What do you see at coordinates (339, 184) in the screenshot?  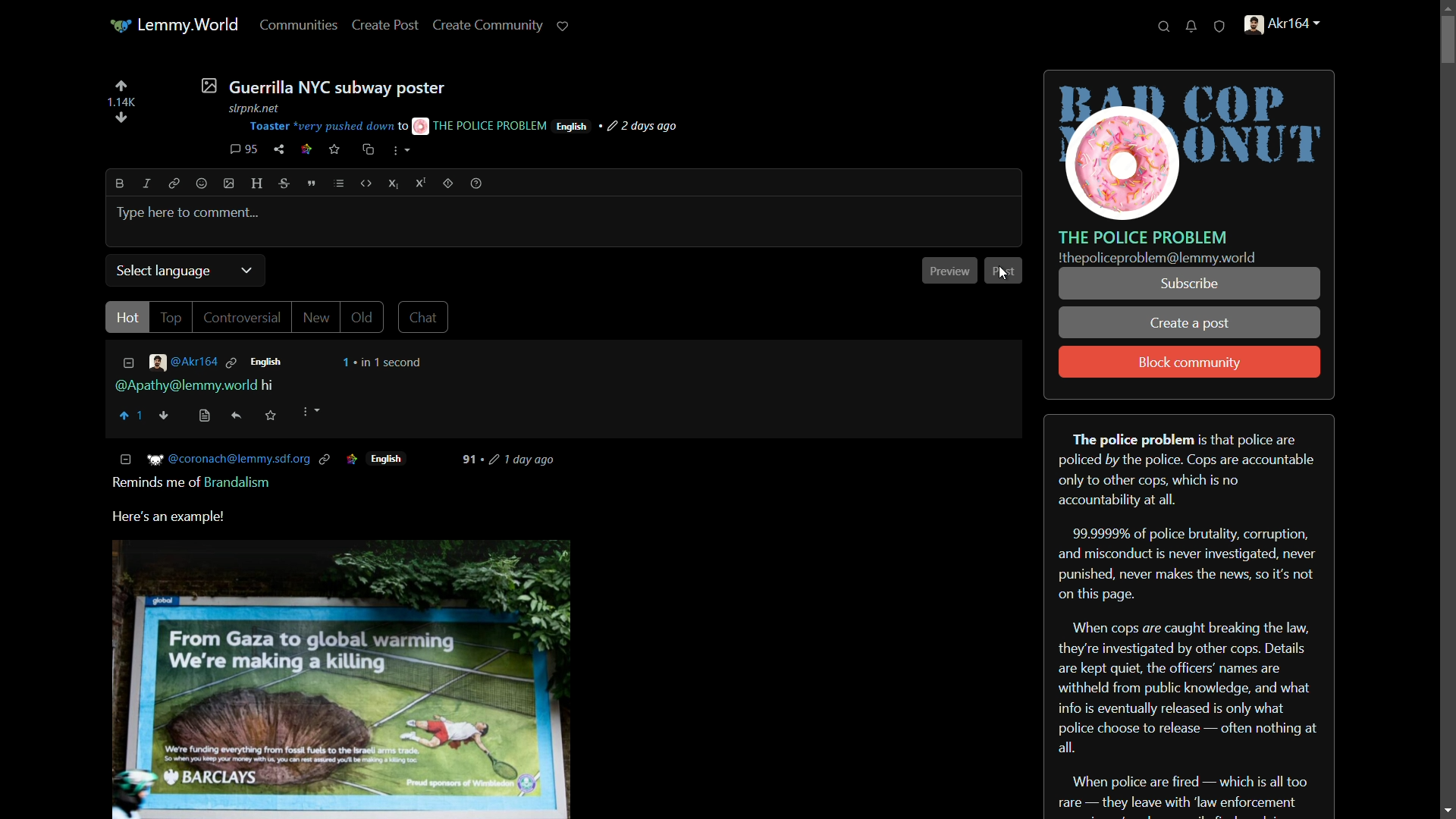 I see `list` at bounding box center [339, 184].